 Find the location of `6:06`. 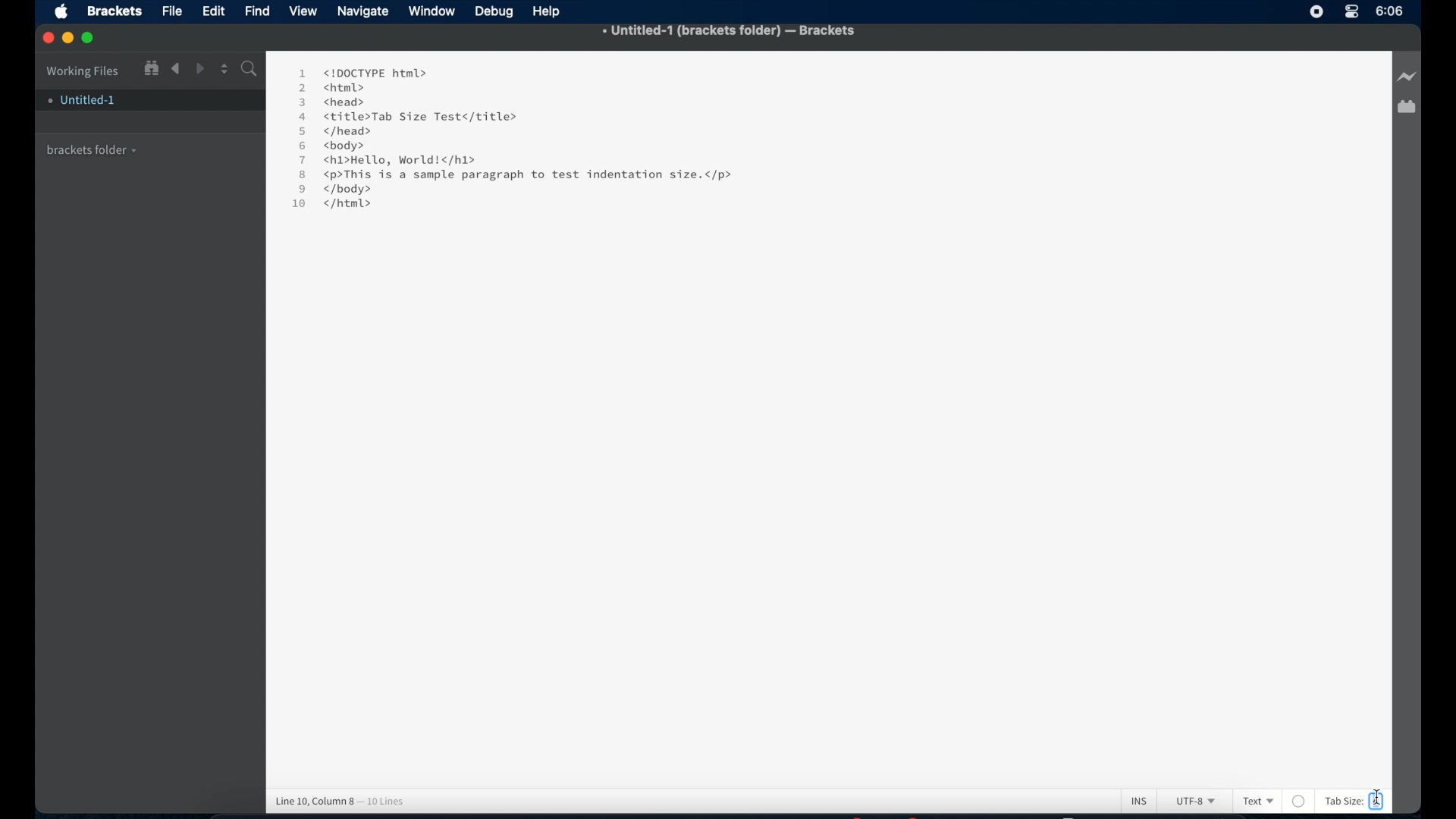

6:06 is located at coordinates (1390, 11).